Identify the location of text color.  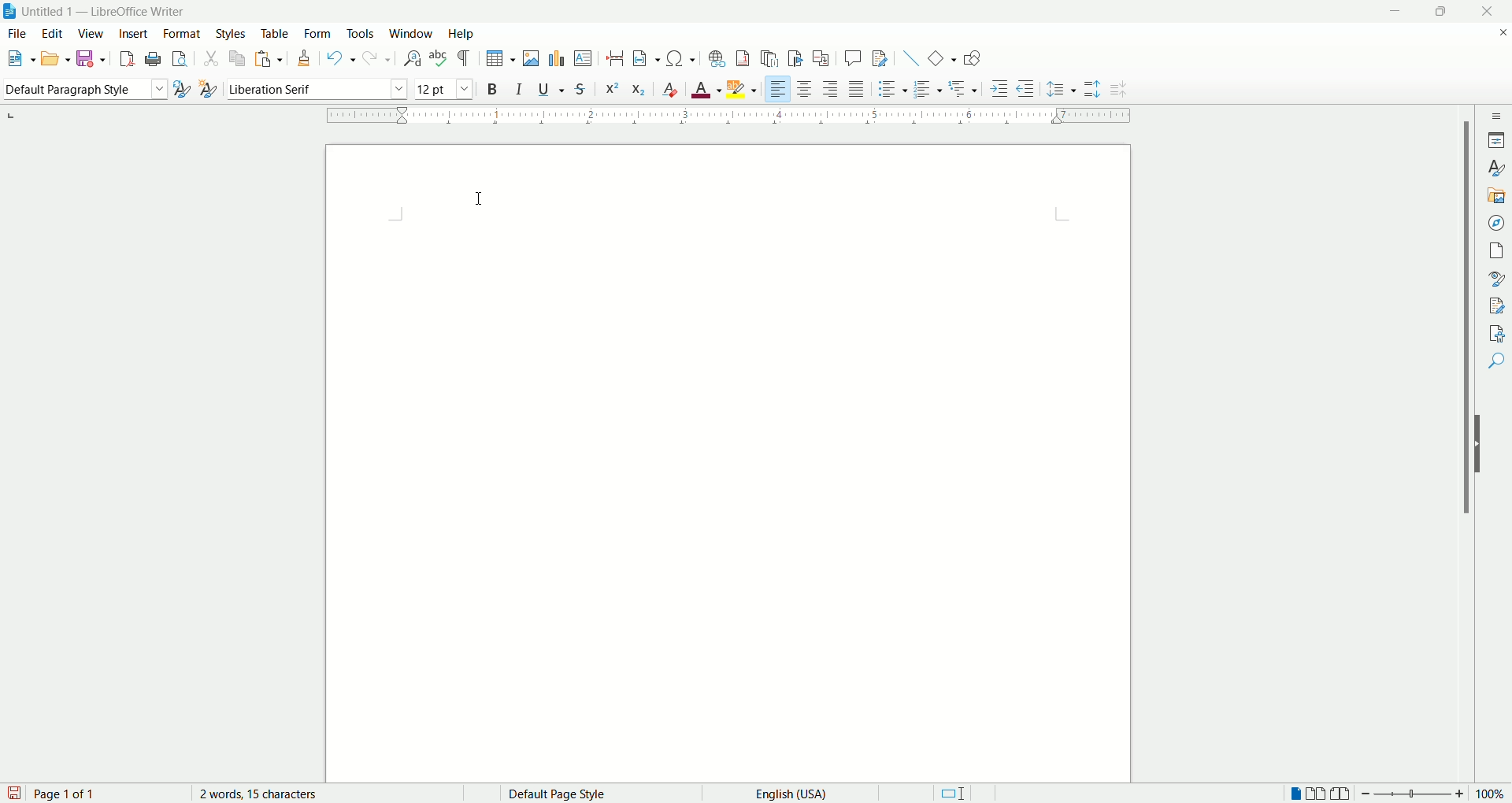
(702, 88).